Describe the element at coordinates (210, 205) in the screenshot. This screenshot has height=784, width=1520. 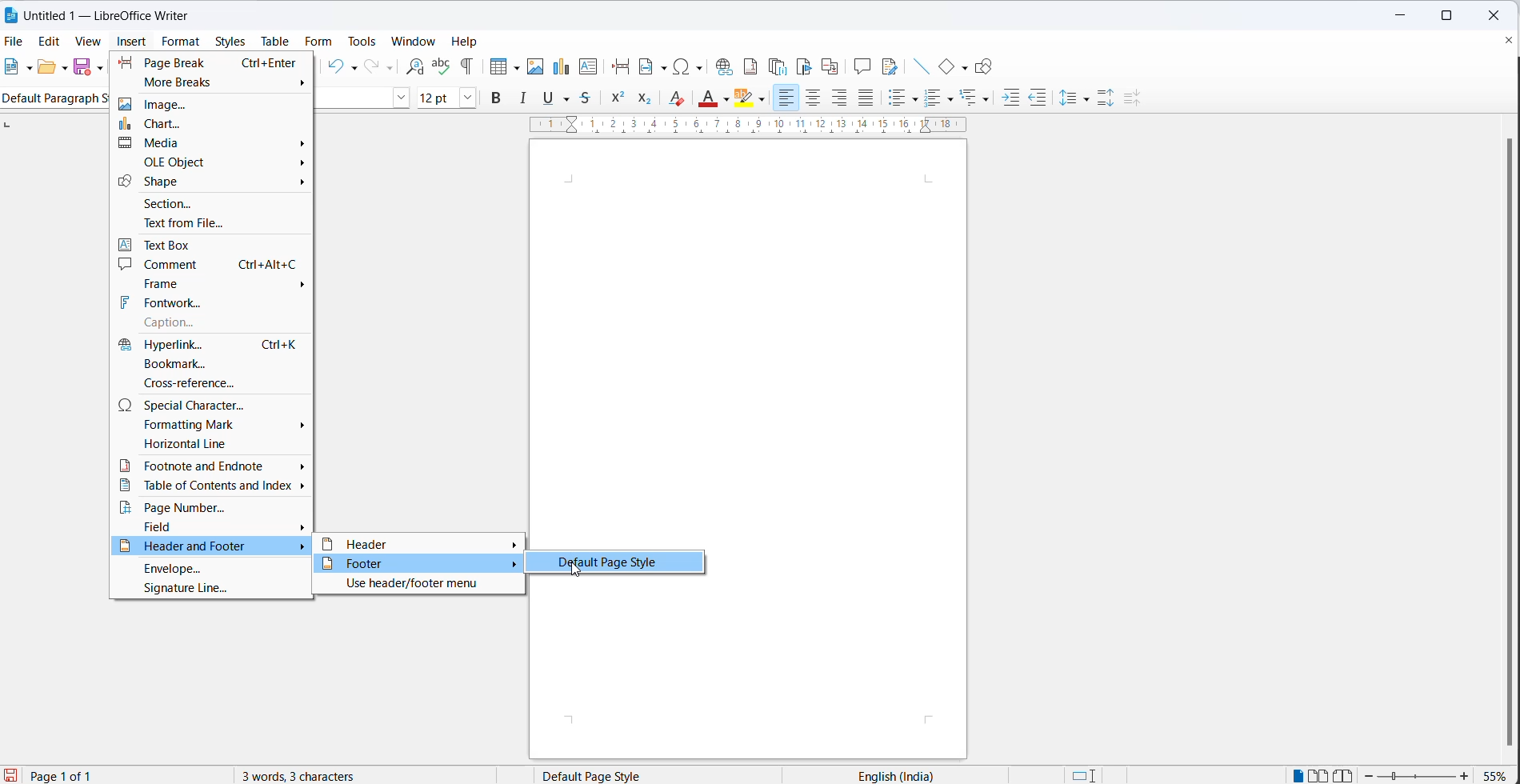
I see `section` at that location.